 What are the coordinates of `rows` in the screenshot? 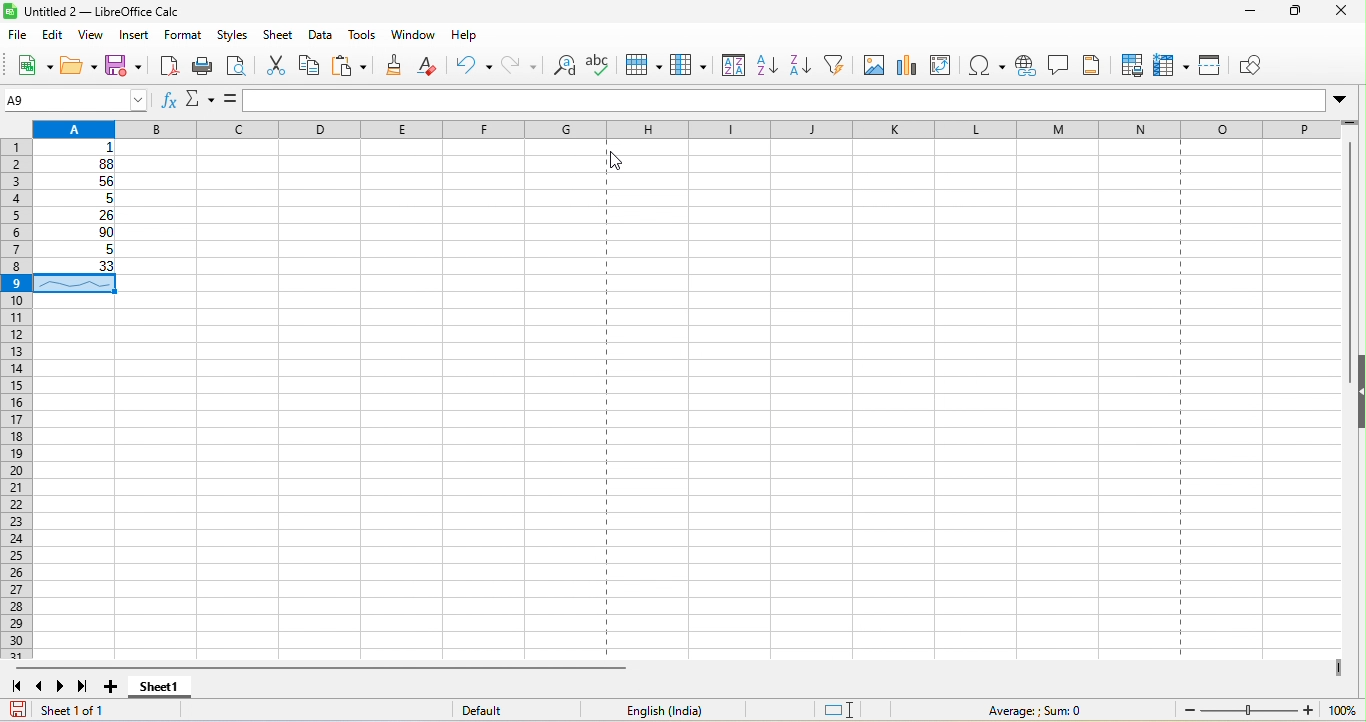 It's located at (15, 401).